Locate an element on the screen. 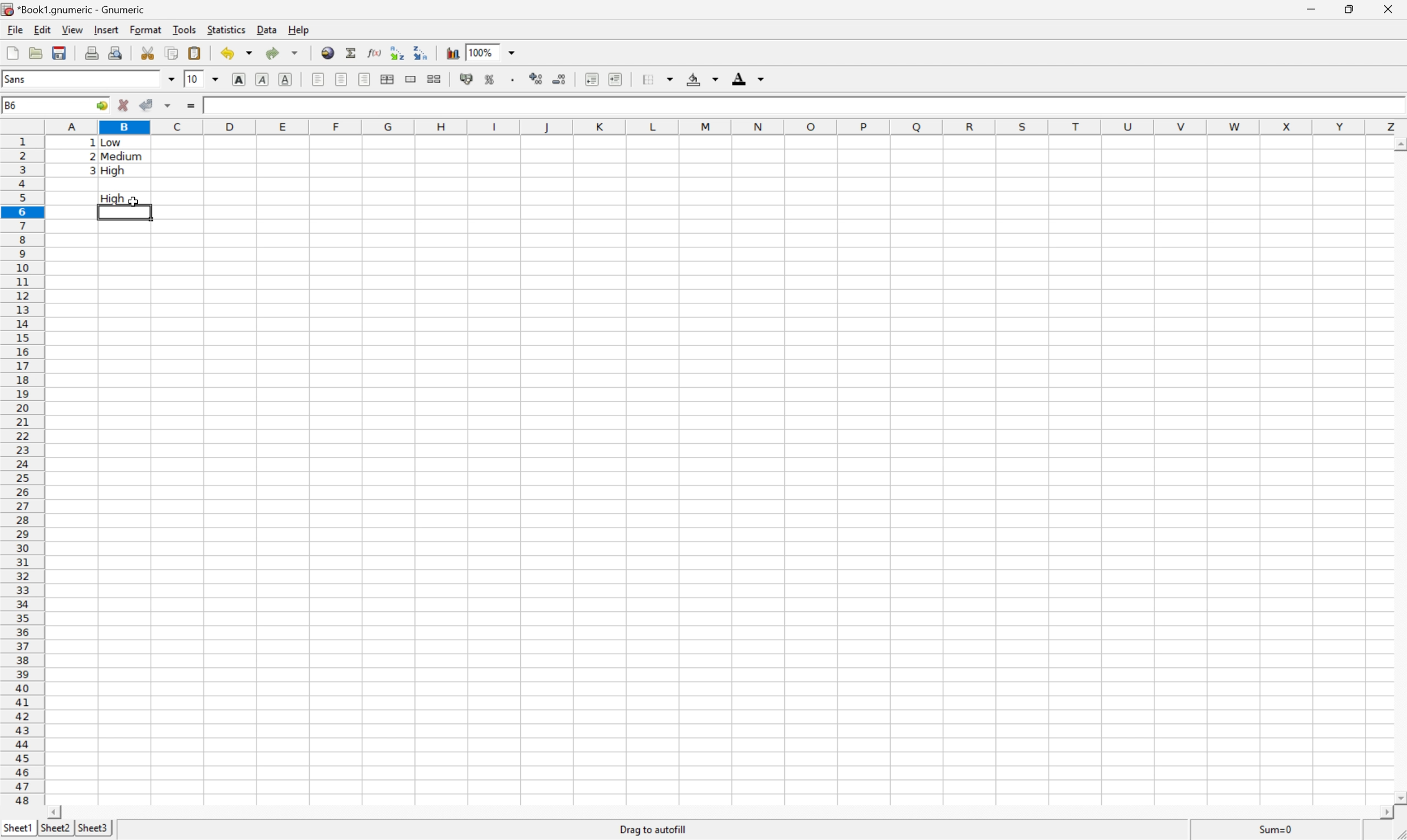 This screenshot has height=840, width=1407. Sort the selected region in descending order based on the first column selected is located at coordinates (423, 54).